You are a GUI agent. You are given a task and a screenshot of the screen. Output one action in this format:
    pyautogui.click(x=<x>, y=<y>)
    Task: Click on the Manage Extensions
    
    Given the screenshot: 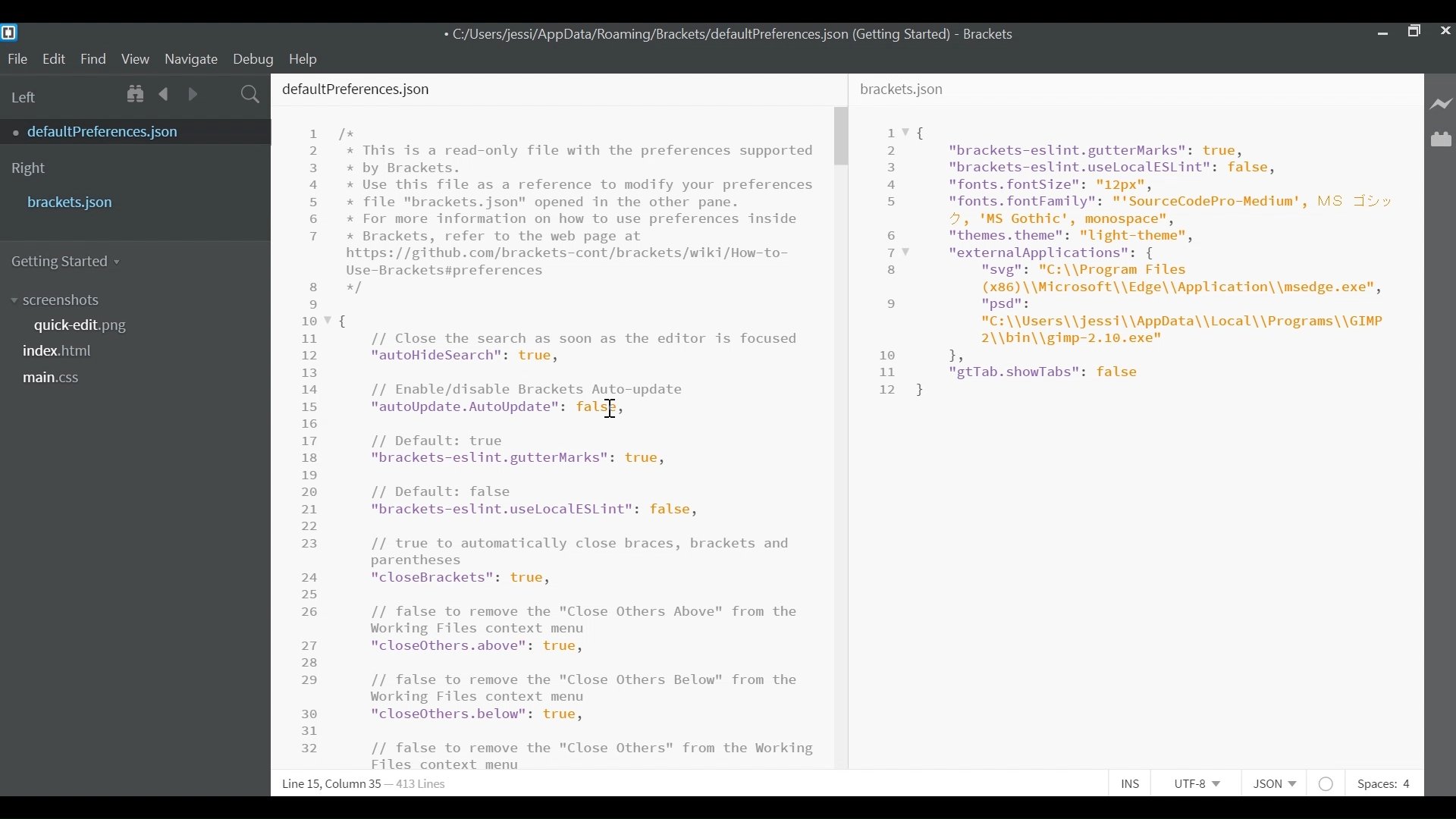 What is the action you would take?
    pyautogui.click(x=1441, y=140)
    